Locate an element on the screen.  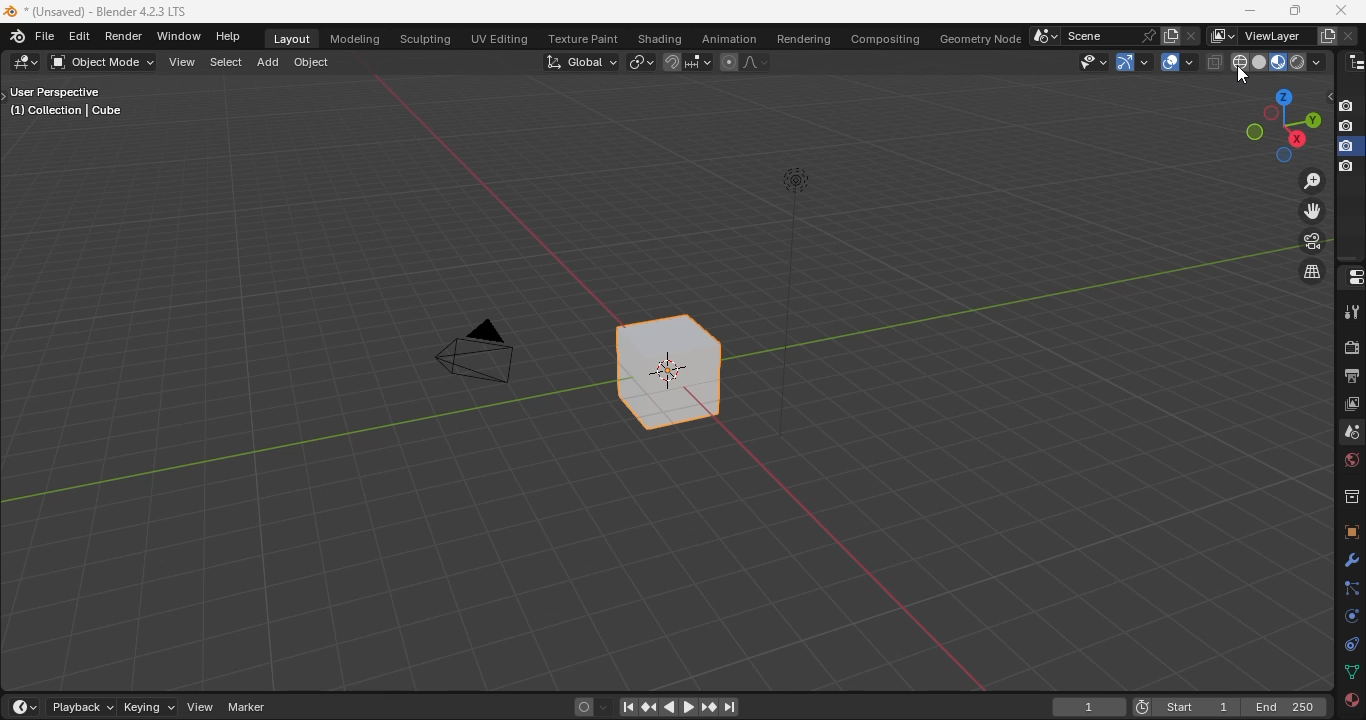
Action Control  is located at coordinates (1351, 278).